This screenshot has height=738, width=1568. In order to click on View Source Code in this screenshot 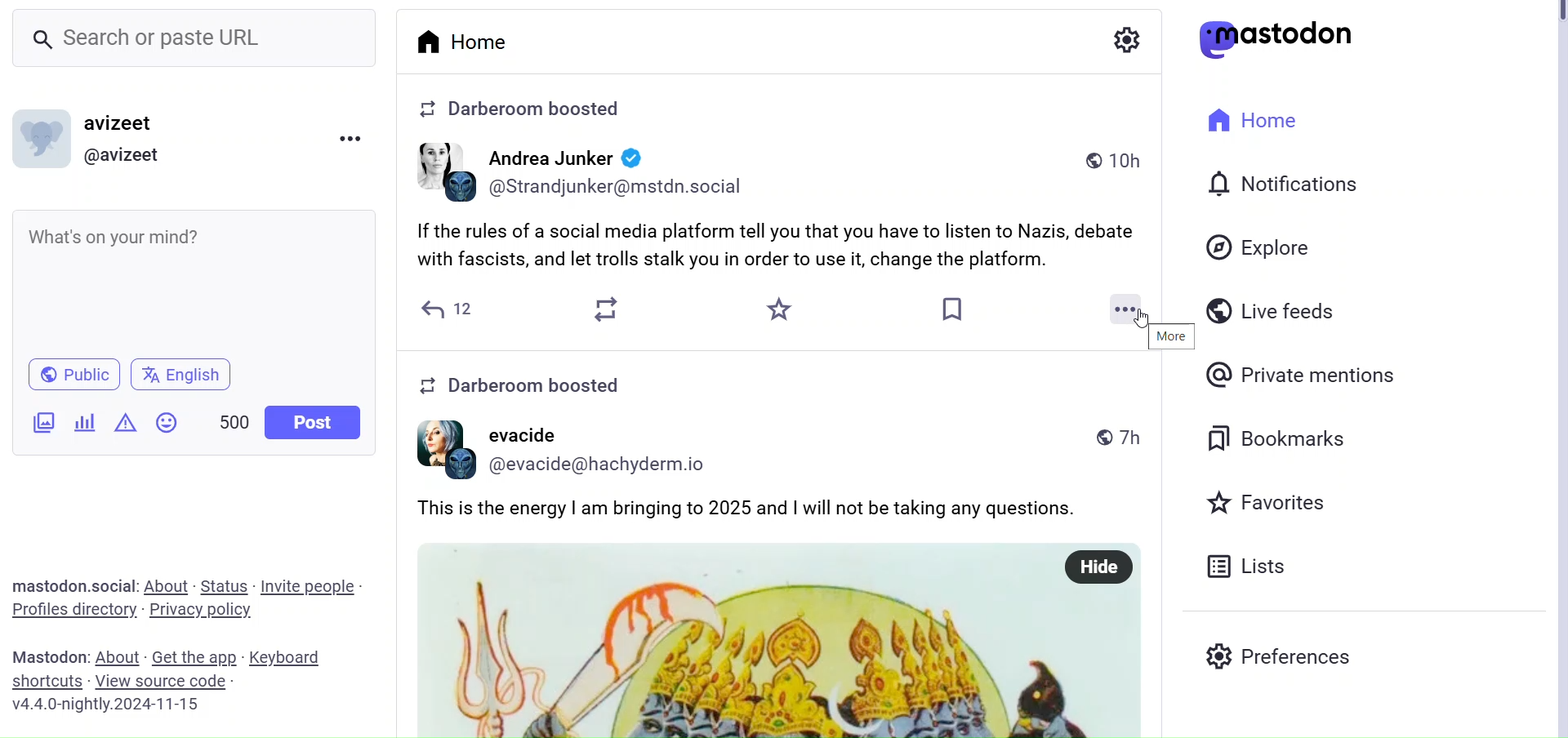, I will do `click(165, 682)`.